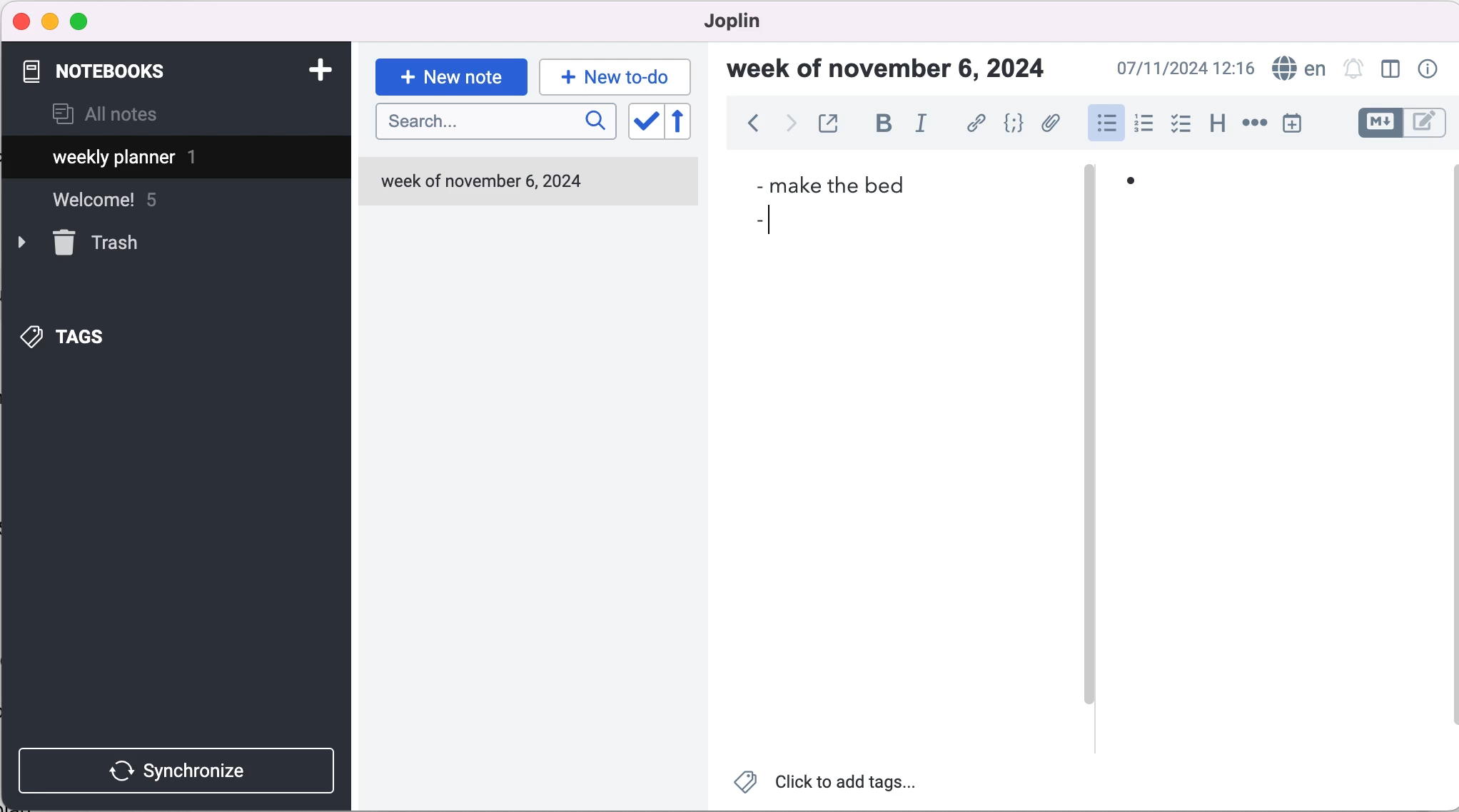 This screenshot has width=1459, height=812. I want to click on week of november 6, 2024, so click(486, 186).